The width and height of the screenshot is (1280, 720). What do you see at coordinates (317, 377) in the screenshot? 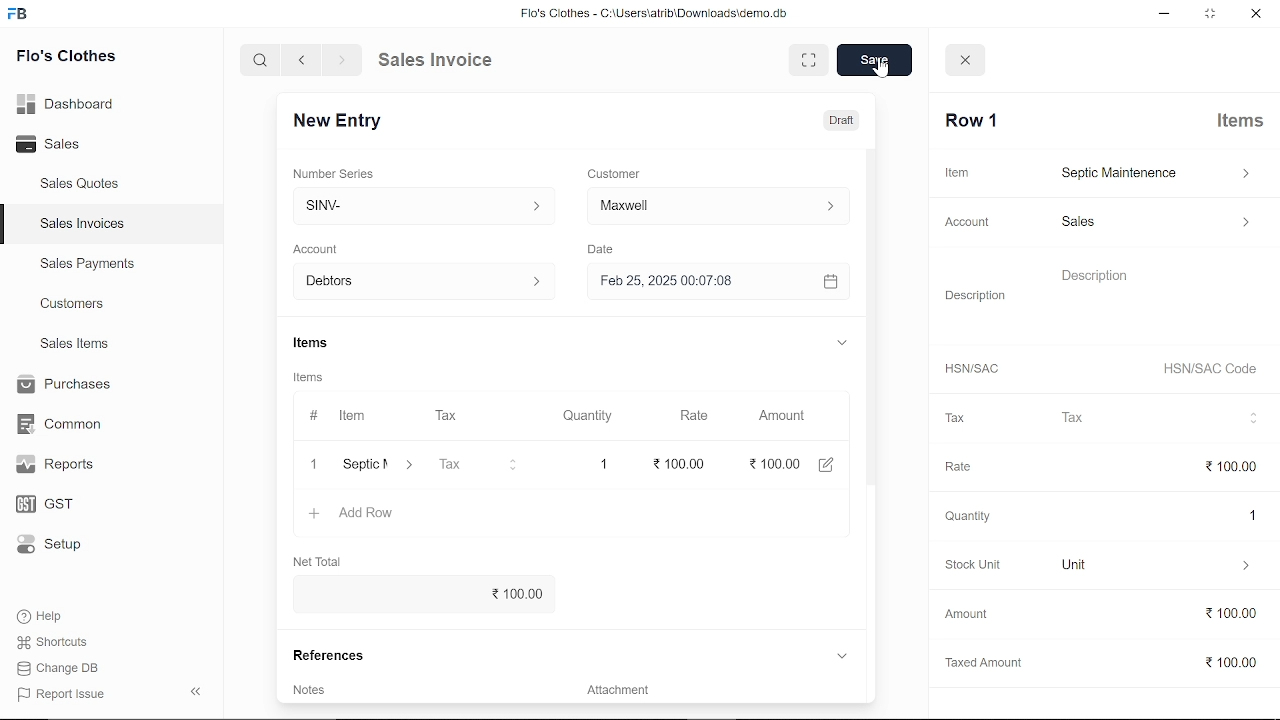
I see `Items` at bounding box center [317, 377].